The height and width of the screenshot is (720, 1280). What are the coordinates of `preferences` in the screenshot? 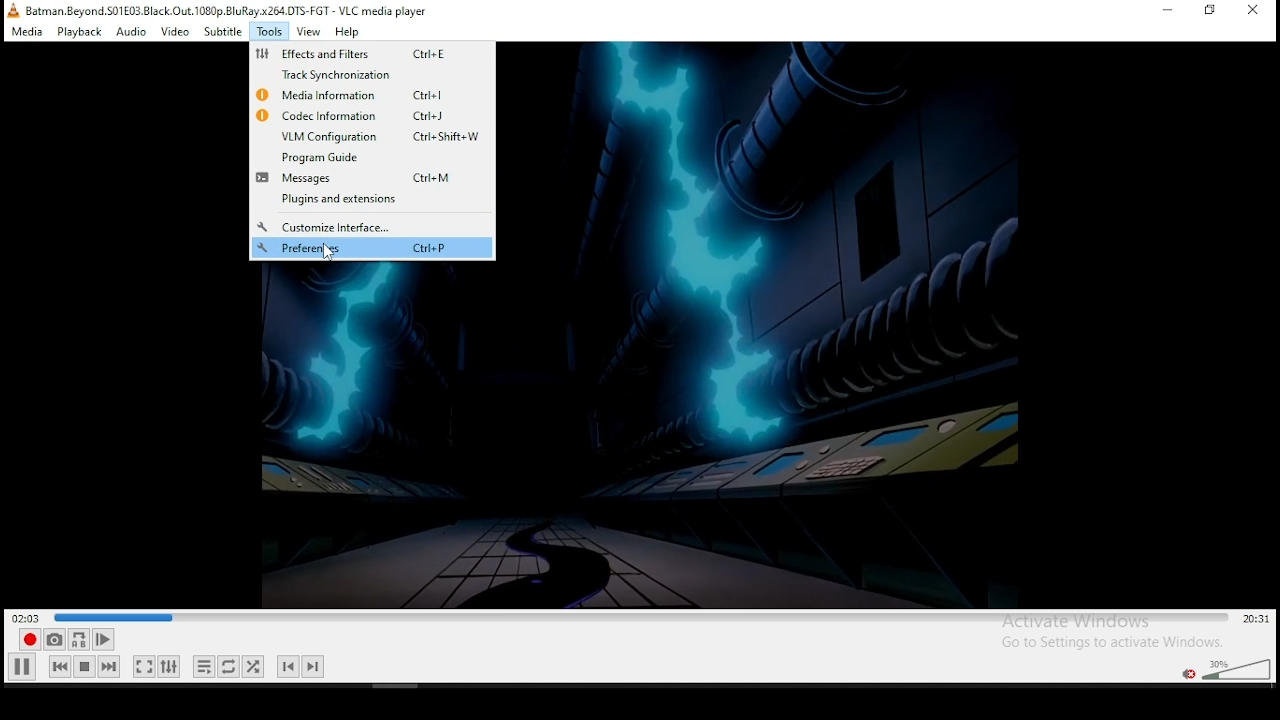 It's located at (372, 249).